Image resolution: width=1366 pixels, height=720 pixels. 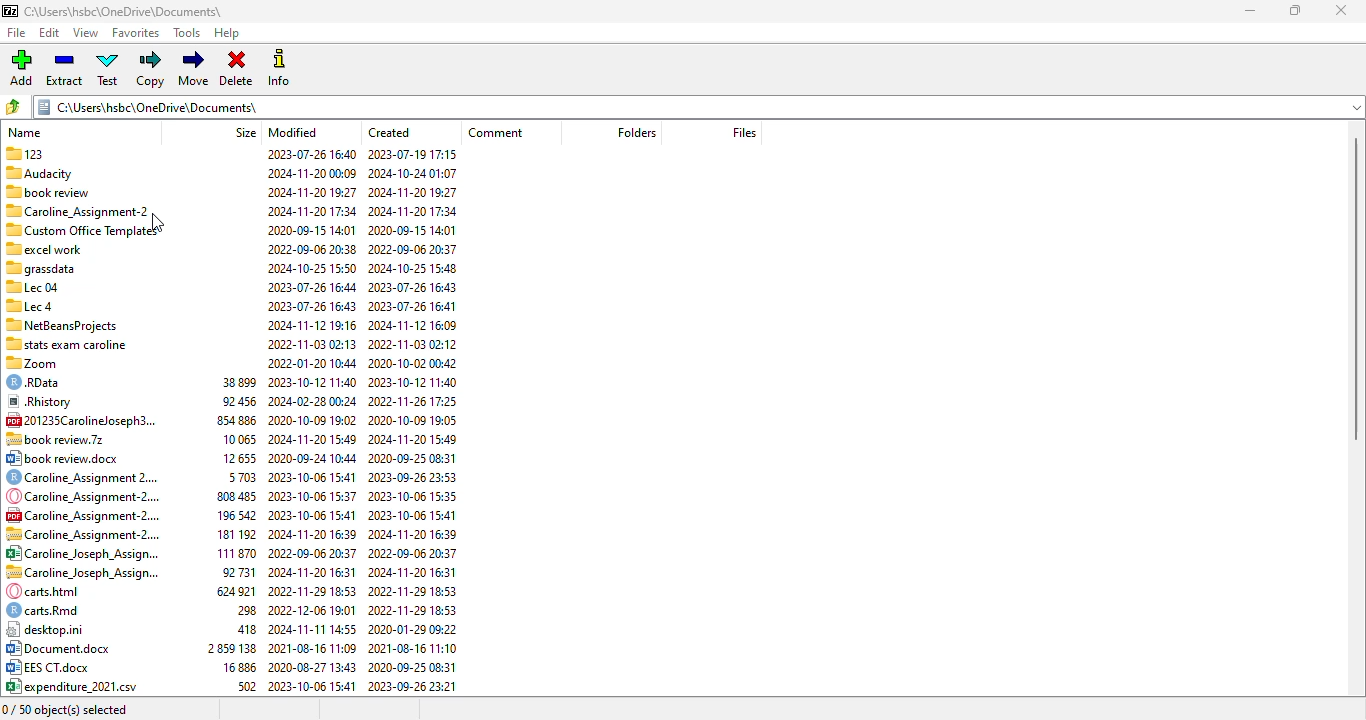 What do you see at coordinates (63, 437) in the screenshot?
I see ` book review.7z` at bounding box center [63, 437].